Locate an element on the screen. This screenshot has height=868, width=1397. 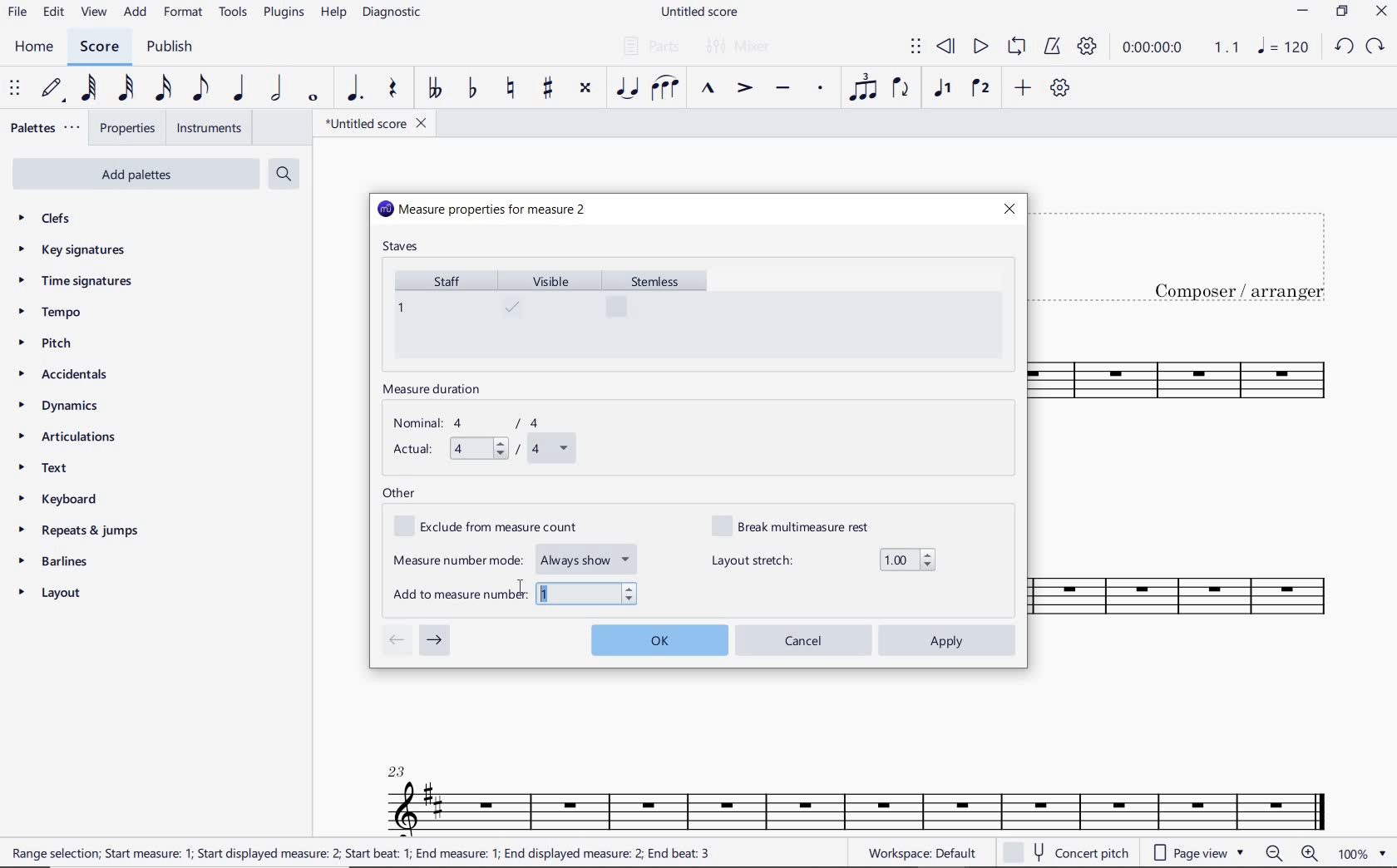
exclude from measure count is located at coordinates (496, 527).